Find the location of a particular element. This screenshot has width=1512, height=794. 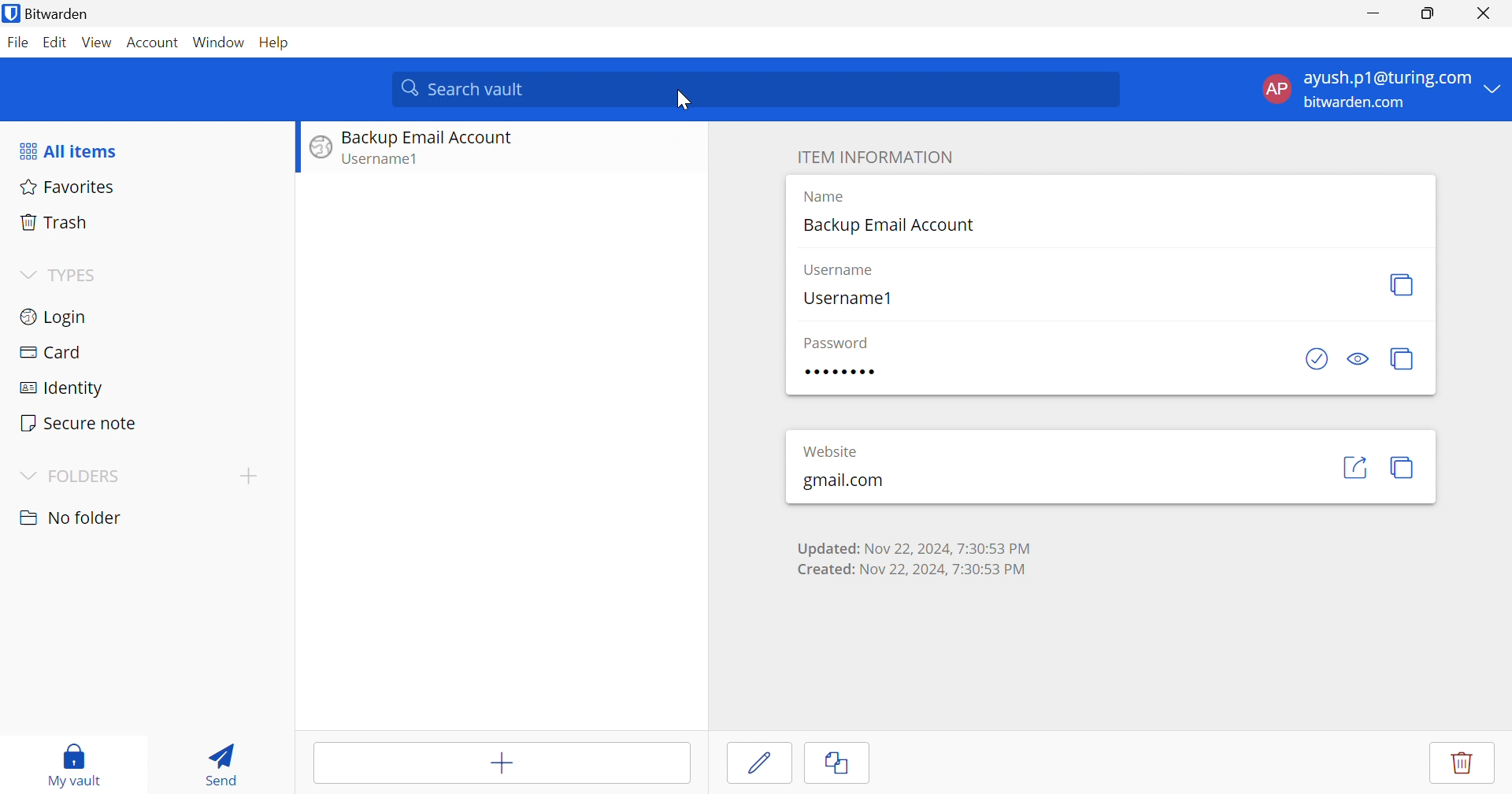

gmail.com is located at coordinates (860, 481).